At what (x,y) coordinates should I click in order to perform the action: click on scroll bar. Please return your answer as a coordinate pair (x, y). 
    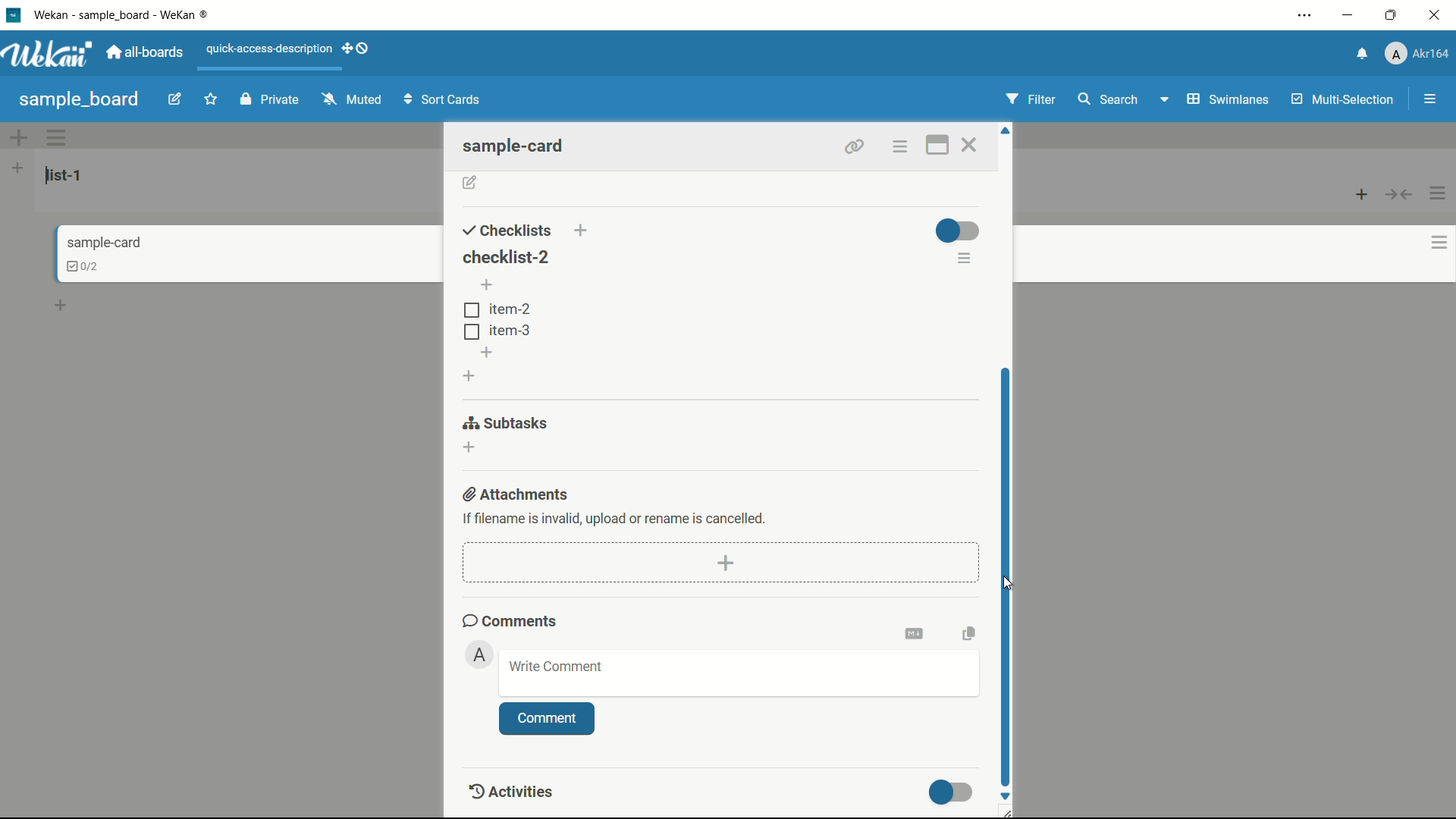
    Looking at the image, I should click on (1009, 575).